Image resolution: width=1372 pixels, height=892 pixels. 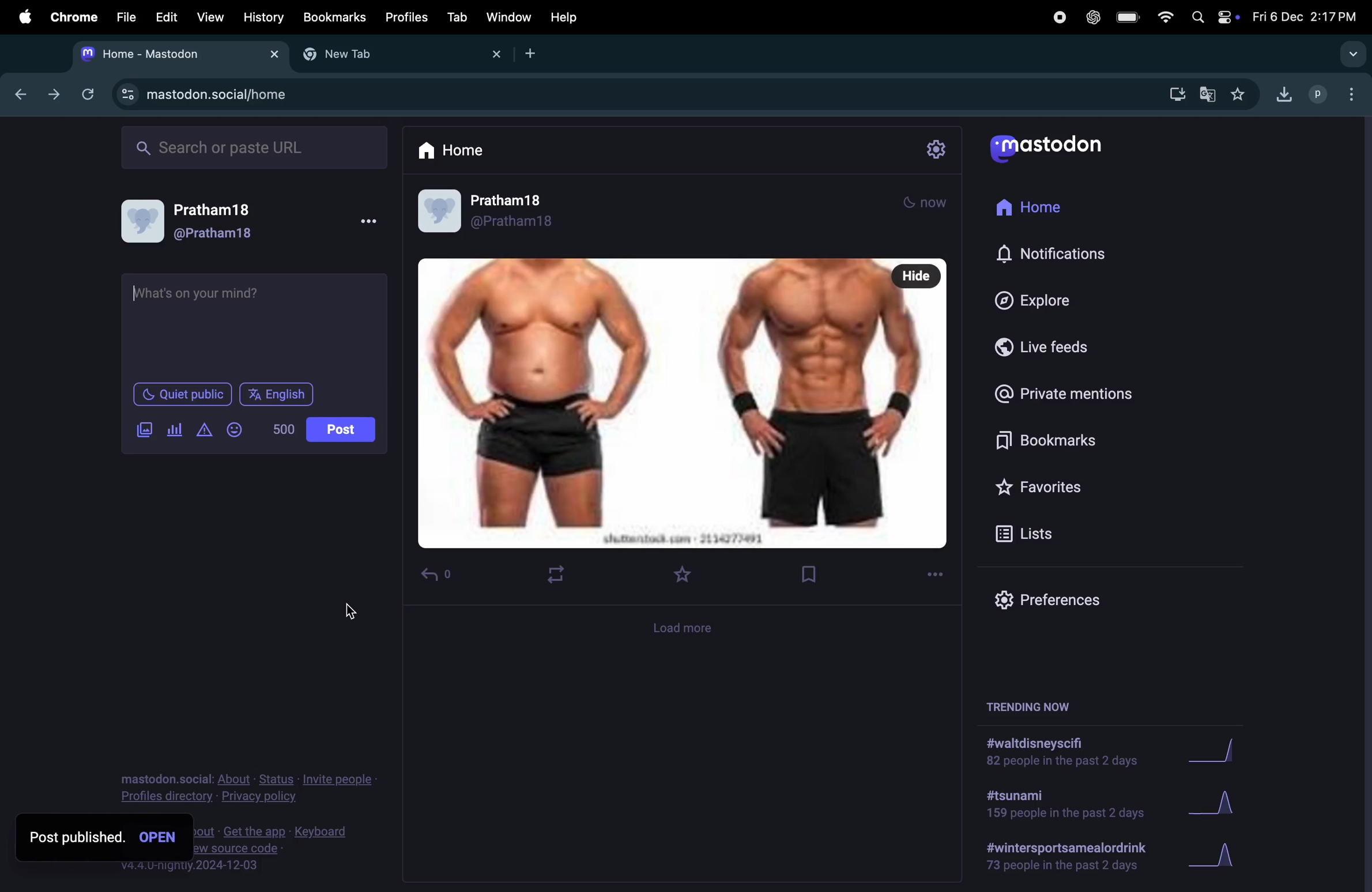 I want to click on Graph, so click(x=1228, y=852).